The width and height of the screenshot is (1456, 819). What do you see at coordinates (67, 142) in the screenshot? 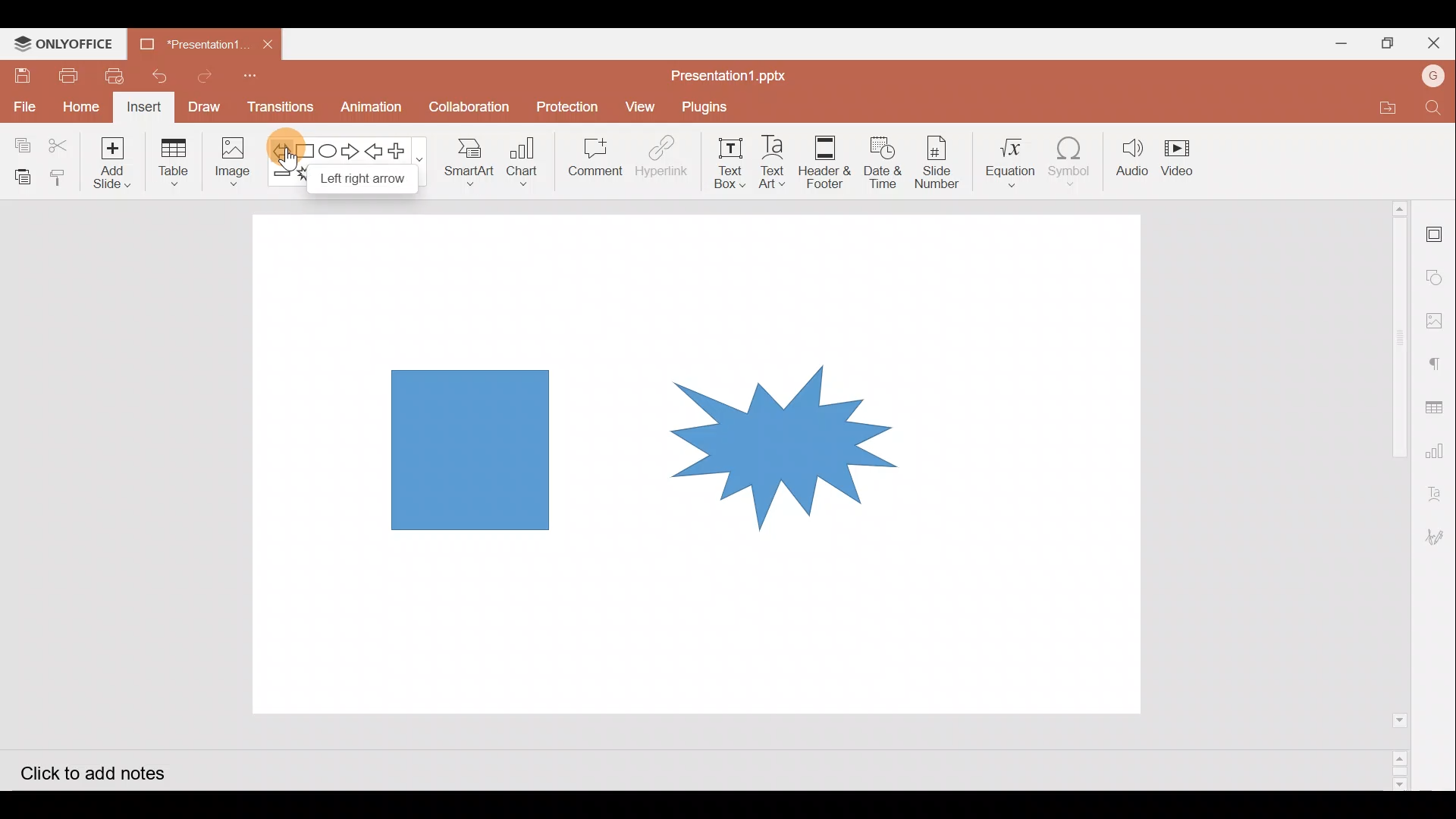
I see `Cut` at bounding box center [67, 142].